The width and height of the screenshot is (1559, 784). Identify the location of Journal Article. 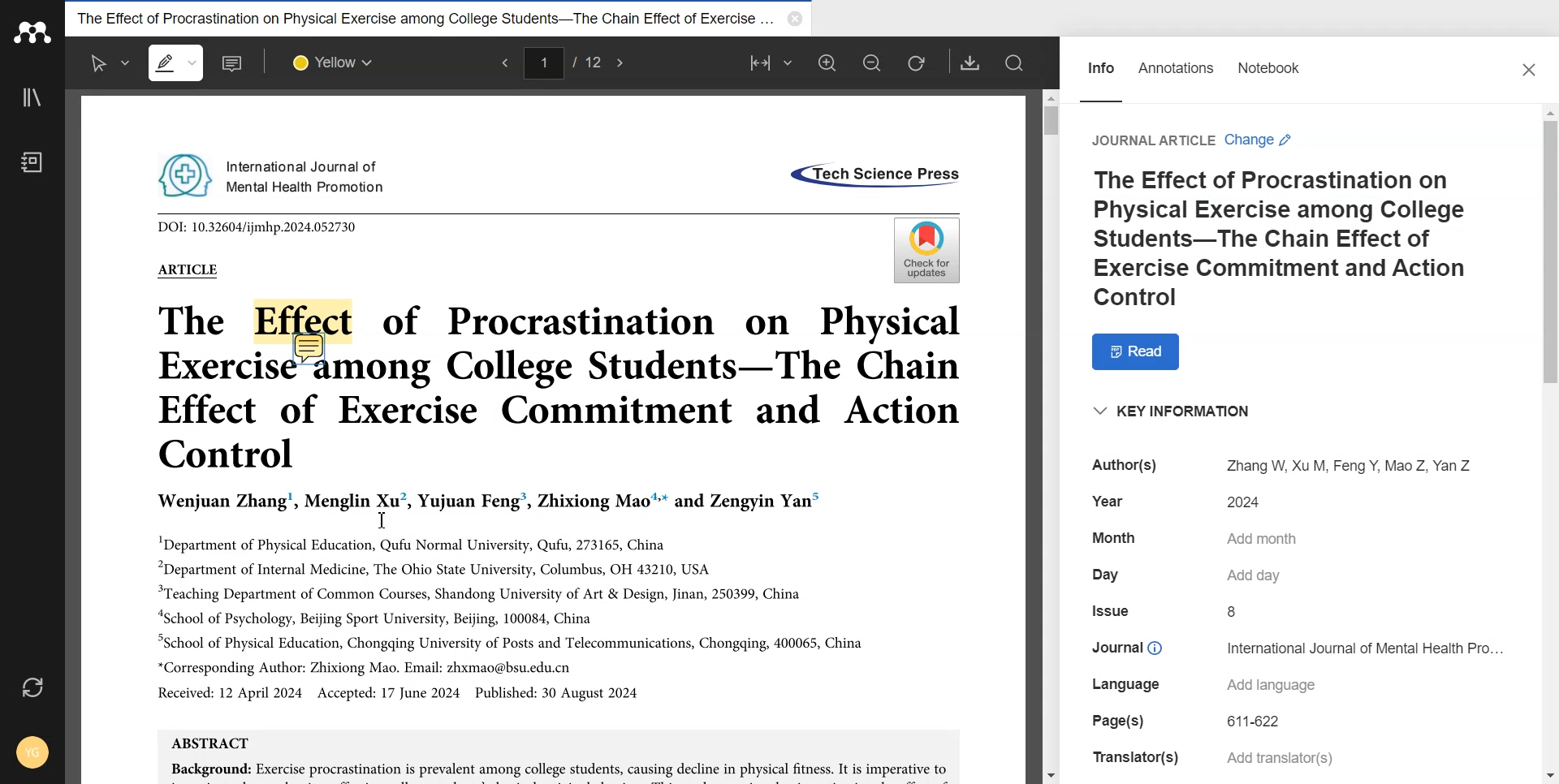
(1151, 140).